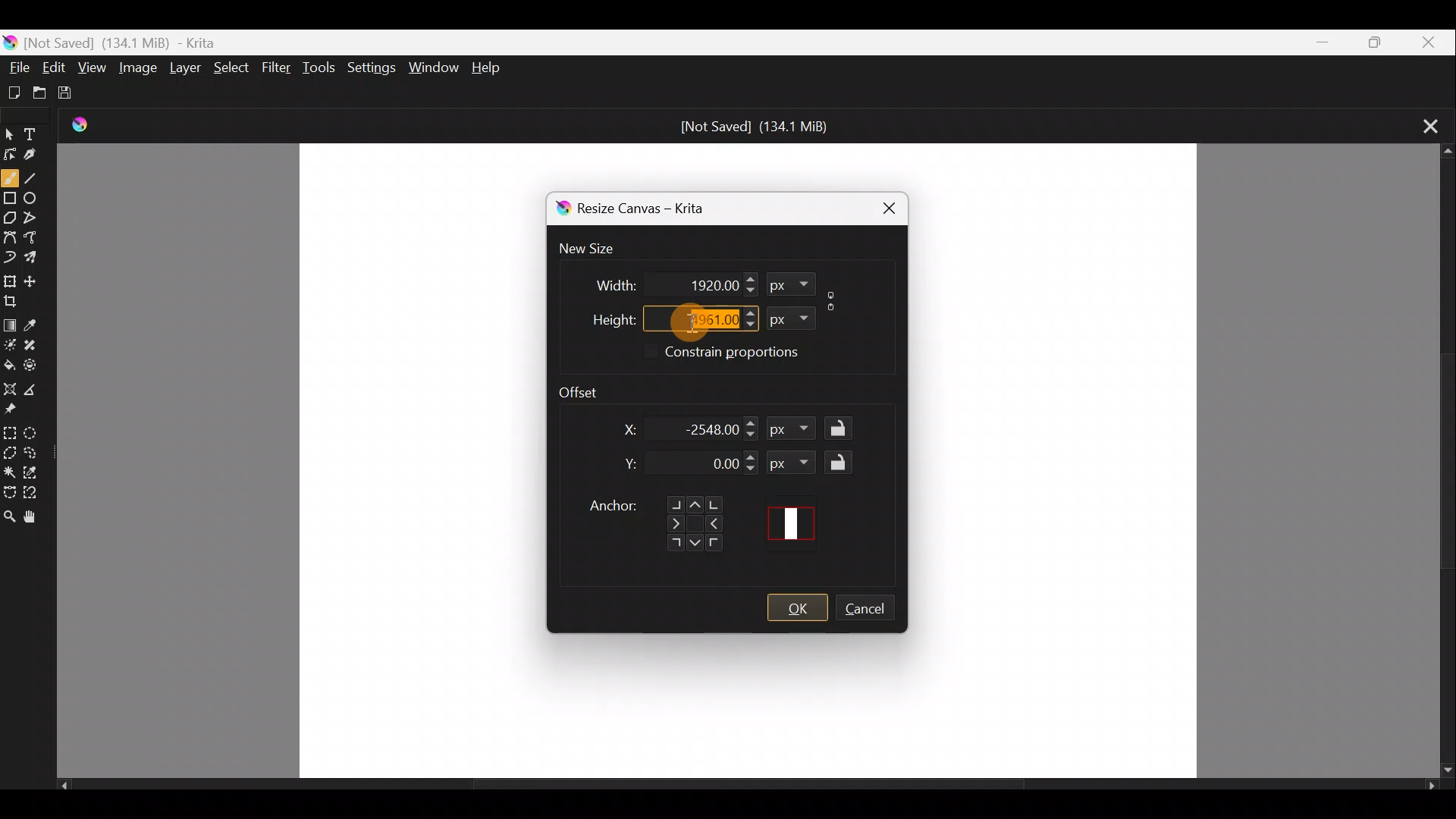 The width and height of the screenshot is (1456, 819). I want to click on Pan tool, so click(33, 518).